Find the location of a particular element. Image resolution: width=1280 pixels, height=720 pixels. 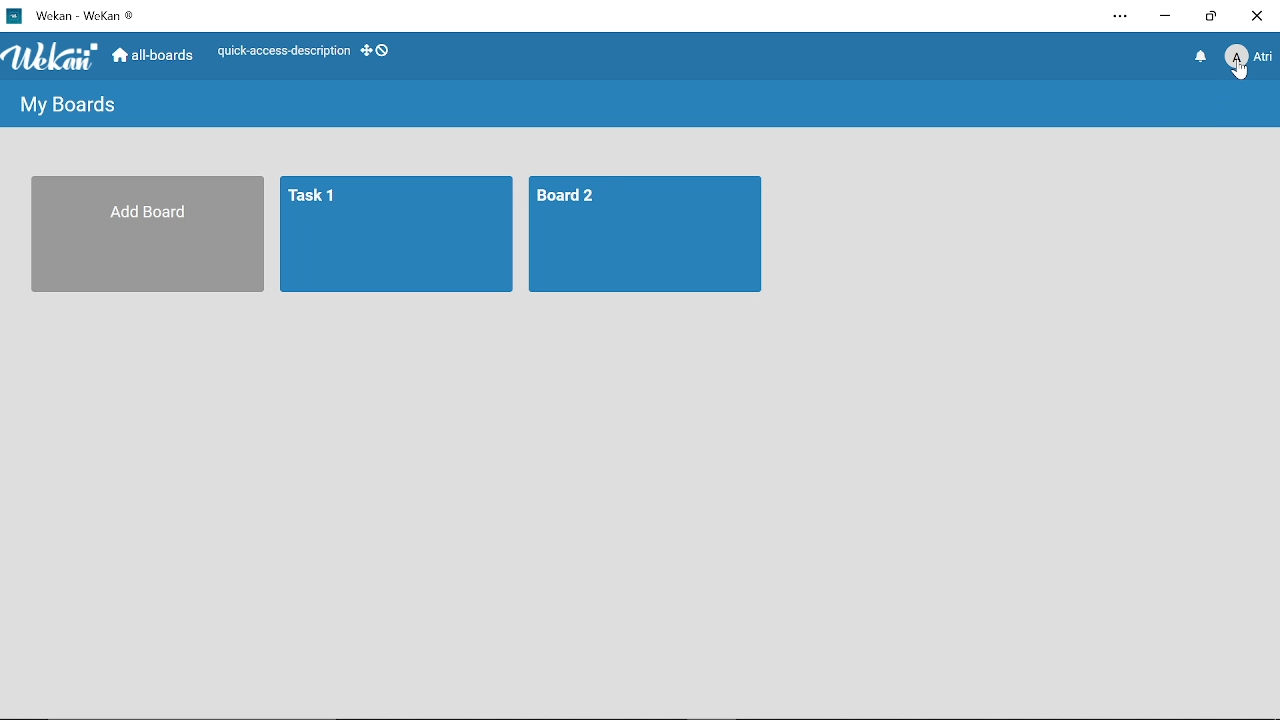

Board title "Task 1" is located at coordinates (398, 235).